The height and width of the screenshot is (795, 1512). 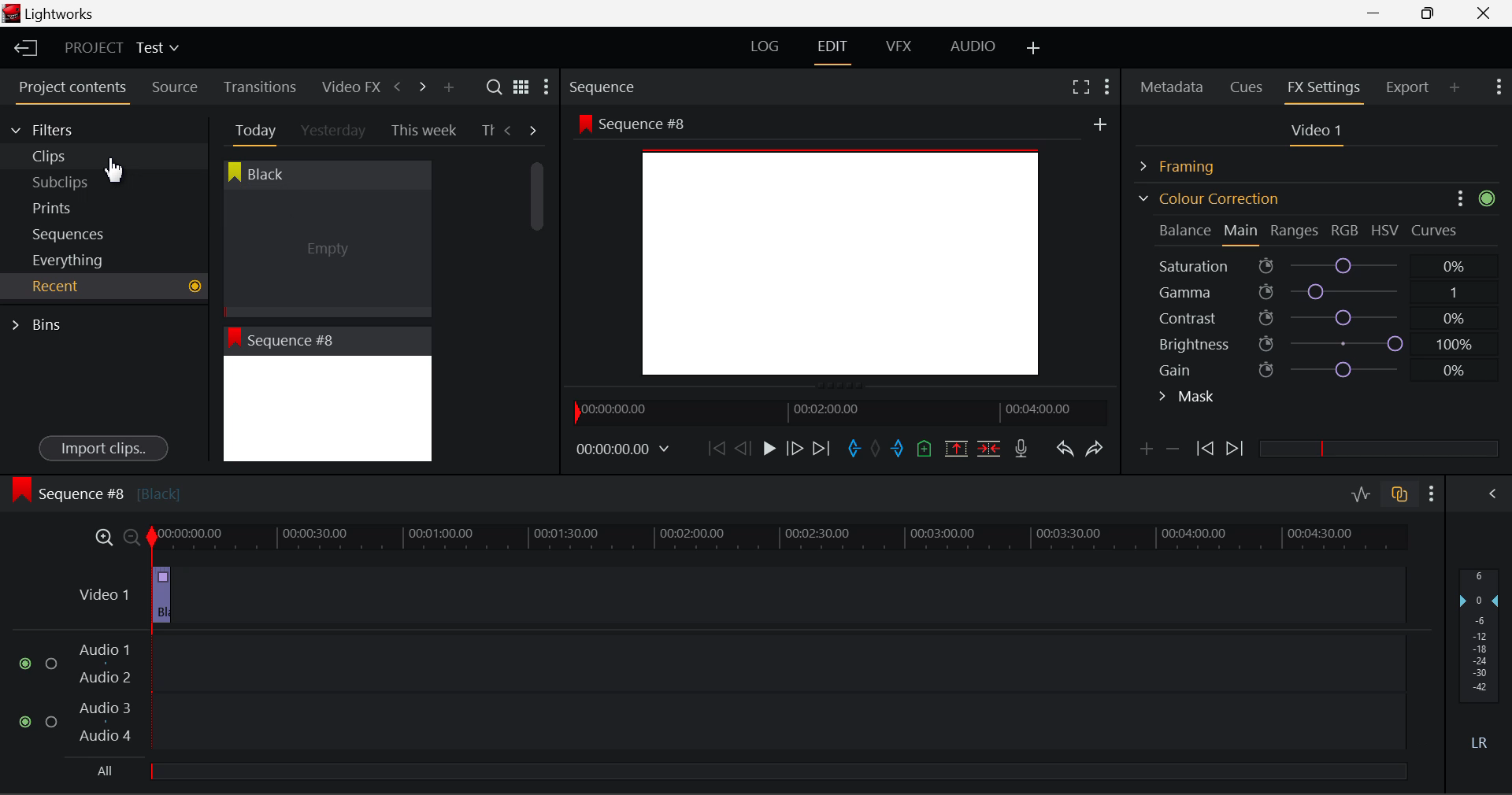 I want to click on Prints, so click(x=74, y=205).